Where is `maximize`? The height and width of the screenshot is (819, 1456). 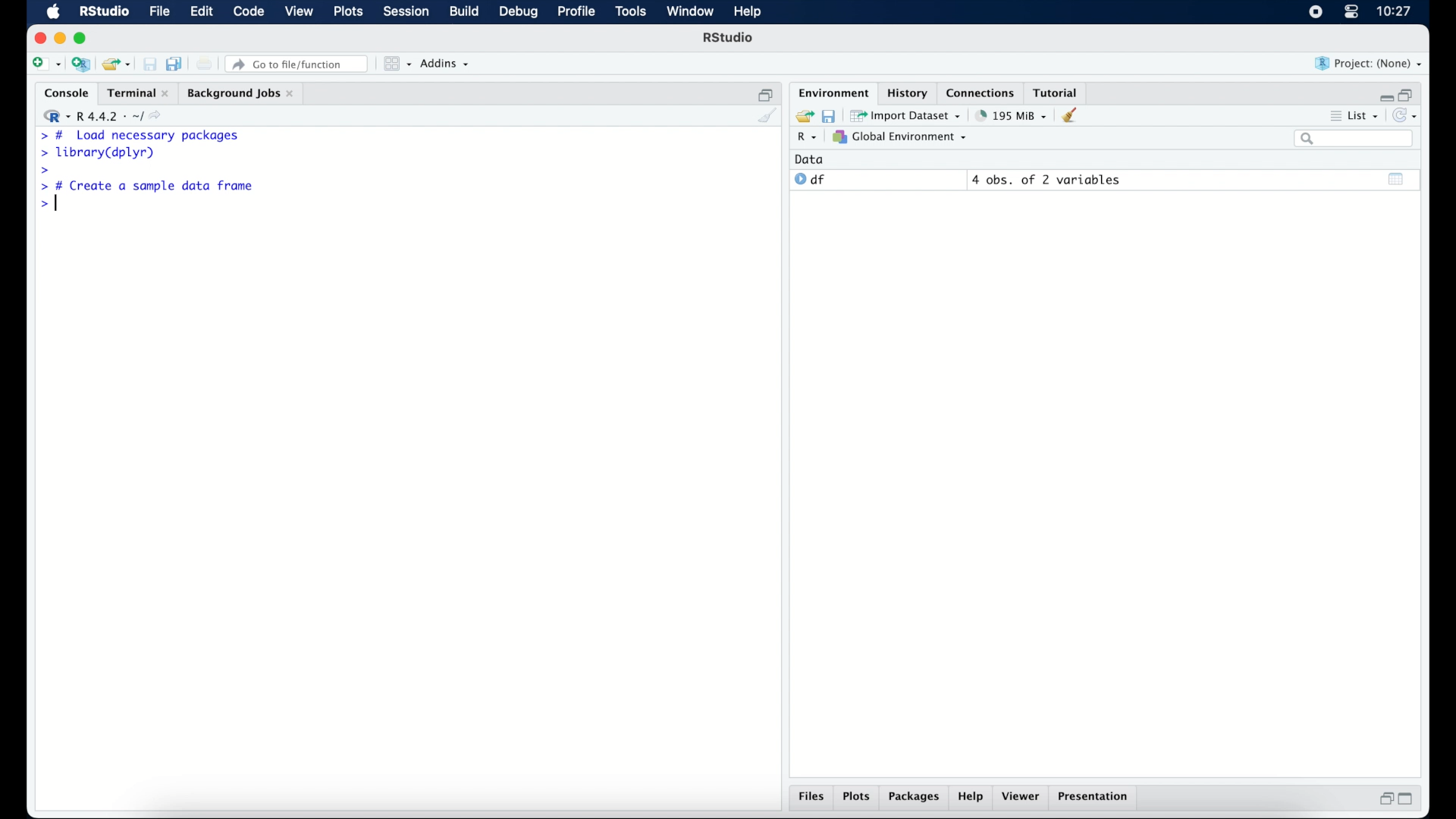
maximize is located at coordinates (1410, 799).